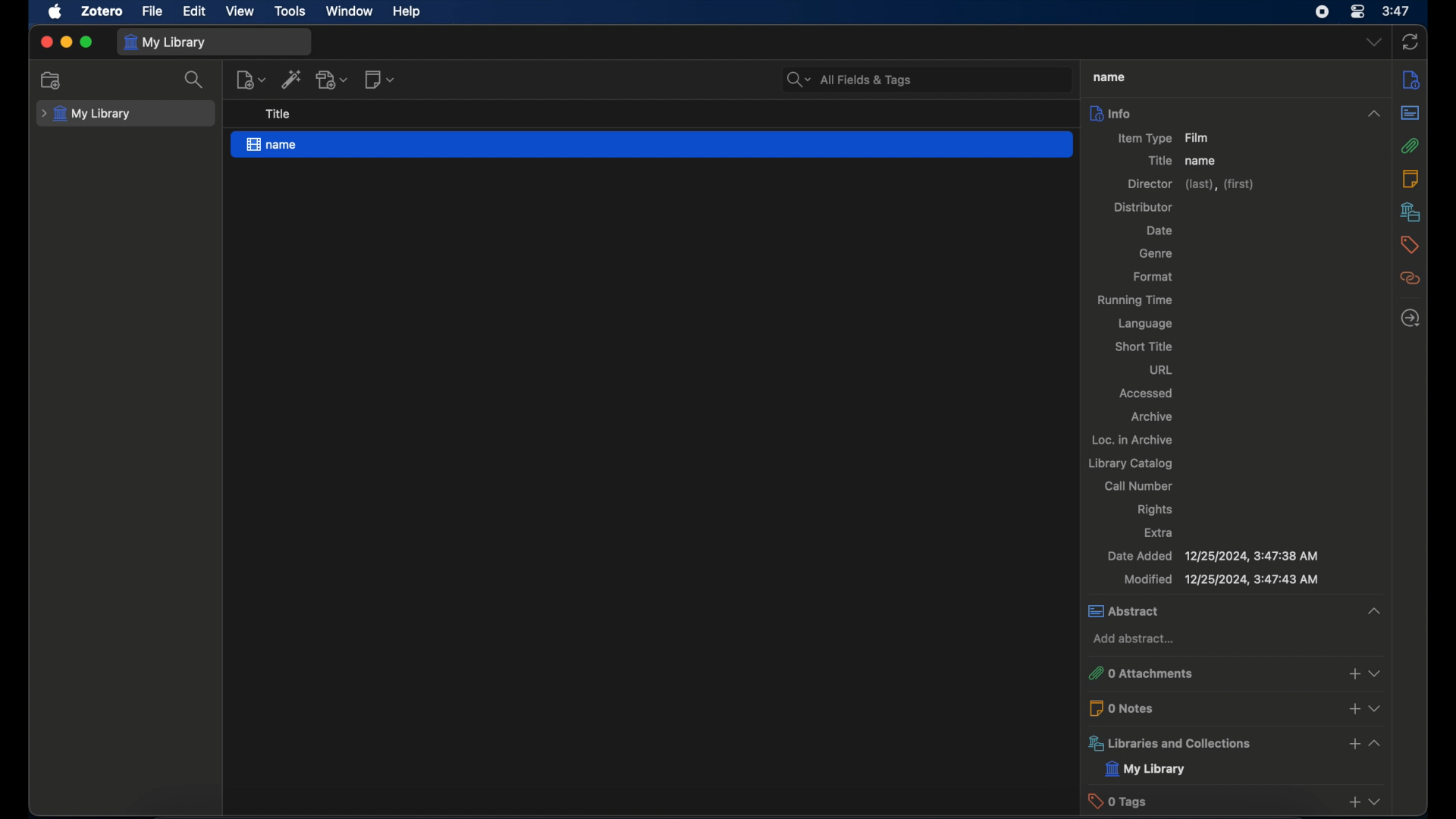  What do you see at coordinates (1144, 207) in the screenshot?
I see `distributor` at bounding box center [1144, 207].